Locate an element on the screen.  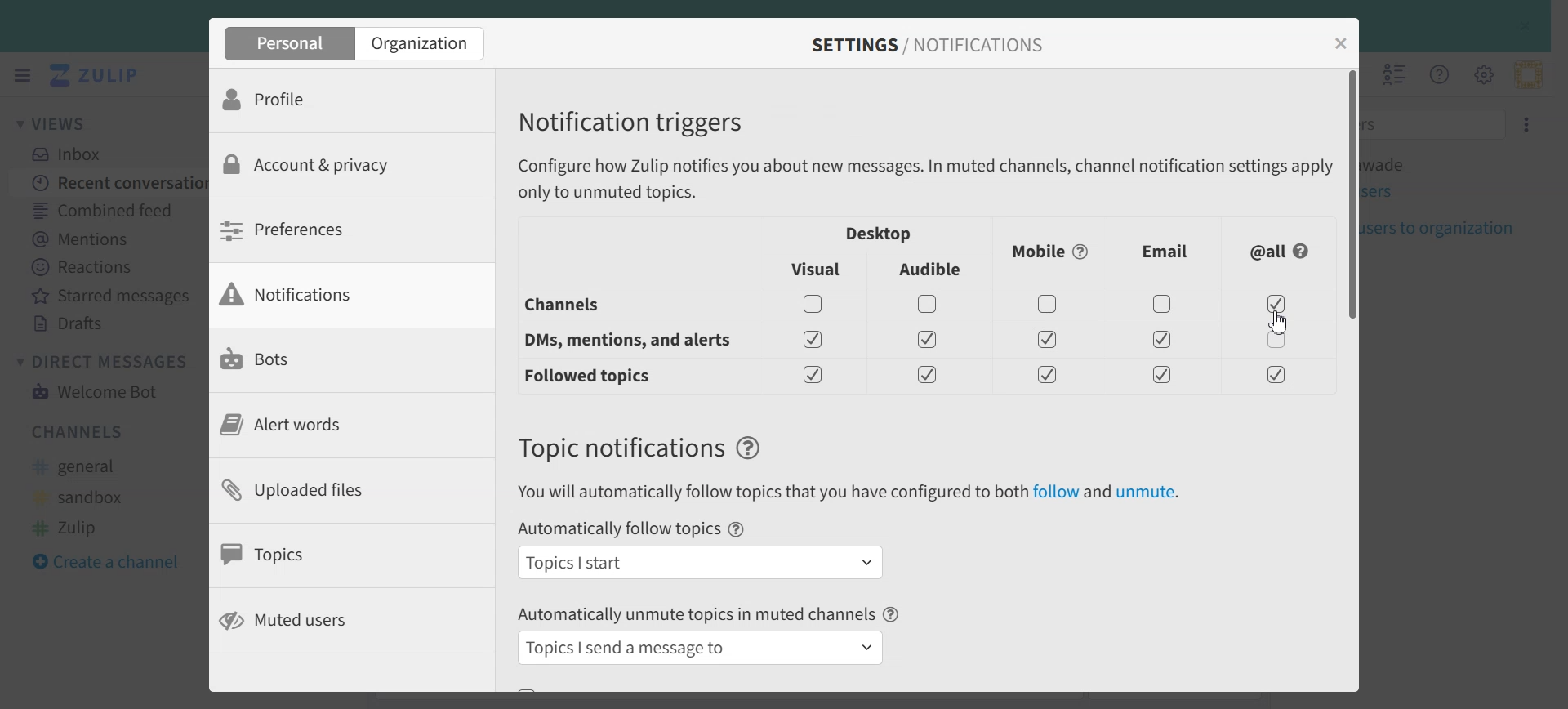
Mentions is located at coordinates (107, 237).